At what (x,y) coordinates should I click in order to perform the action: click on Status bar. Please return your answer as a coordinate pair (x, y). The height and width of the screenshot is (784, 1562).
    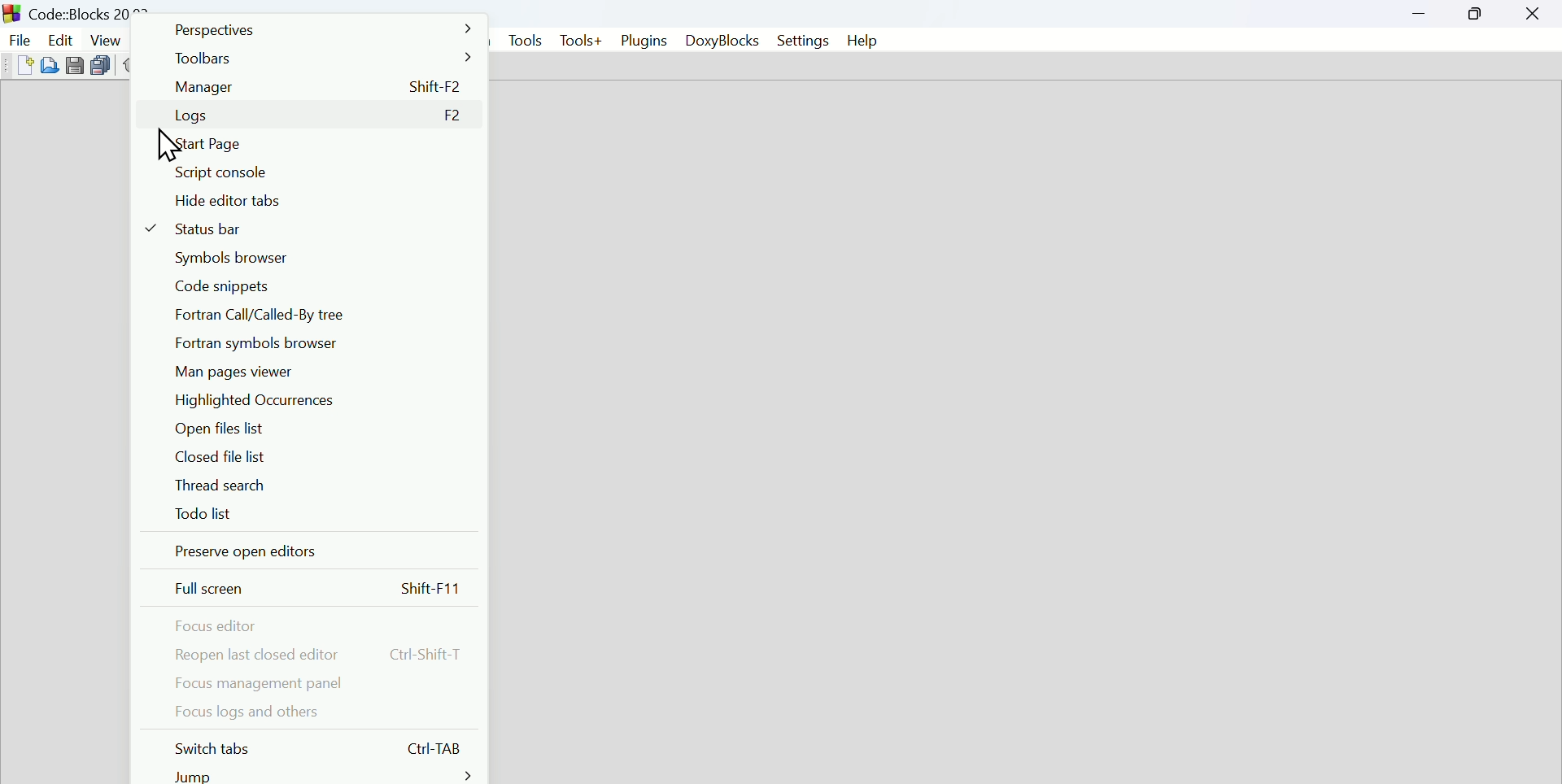
    Looking at the image, I should click on (199, 229).